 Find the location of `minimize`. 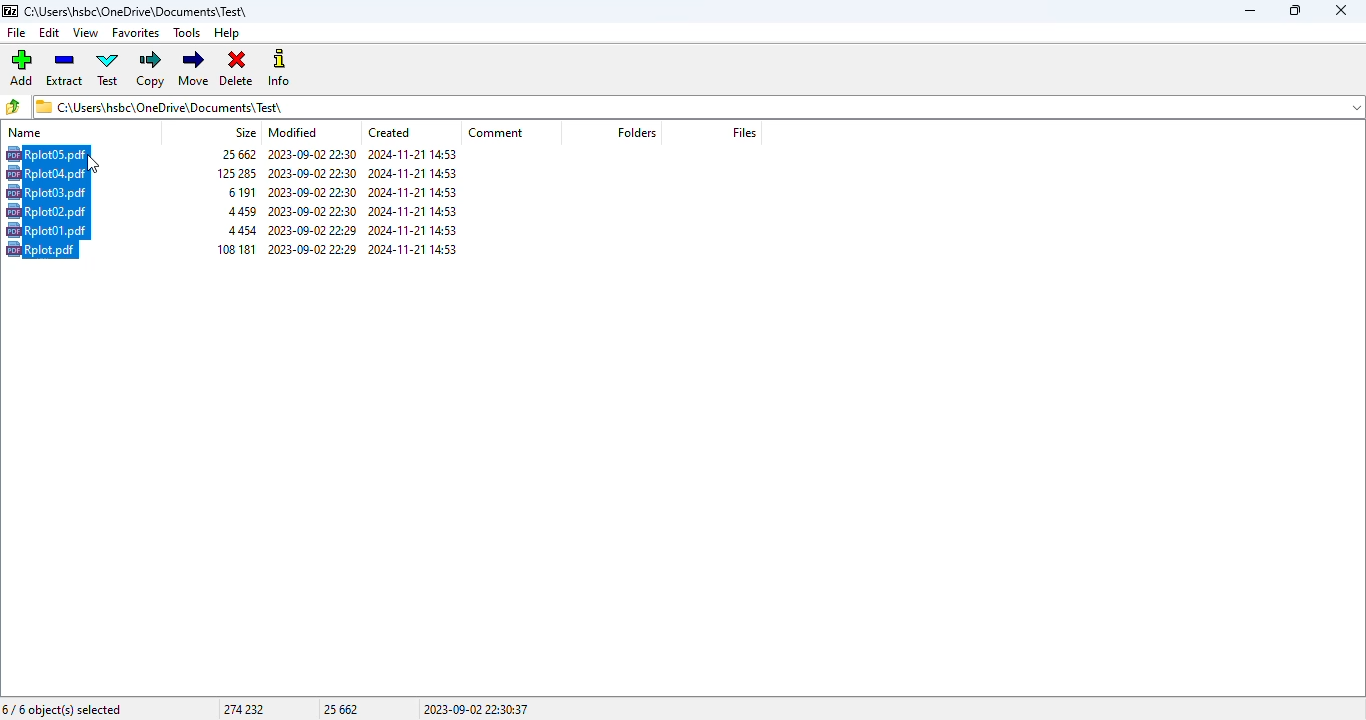

minimize is located at coordinates (1249, 11).